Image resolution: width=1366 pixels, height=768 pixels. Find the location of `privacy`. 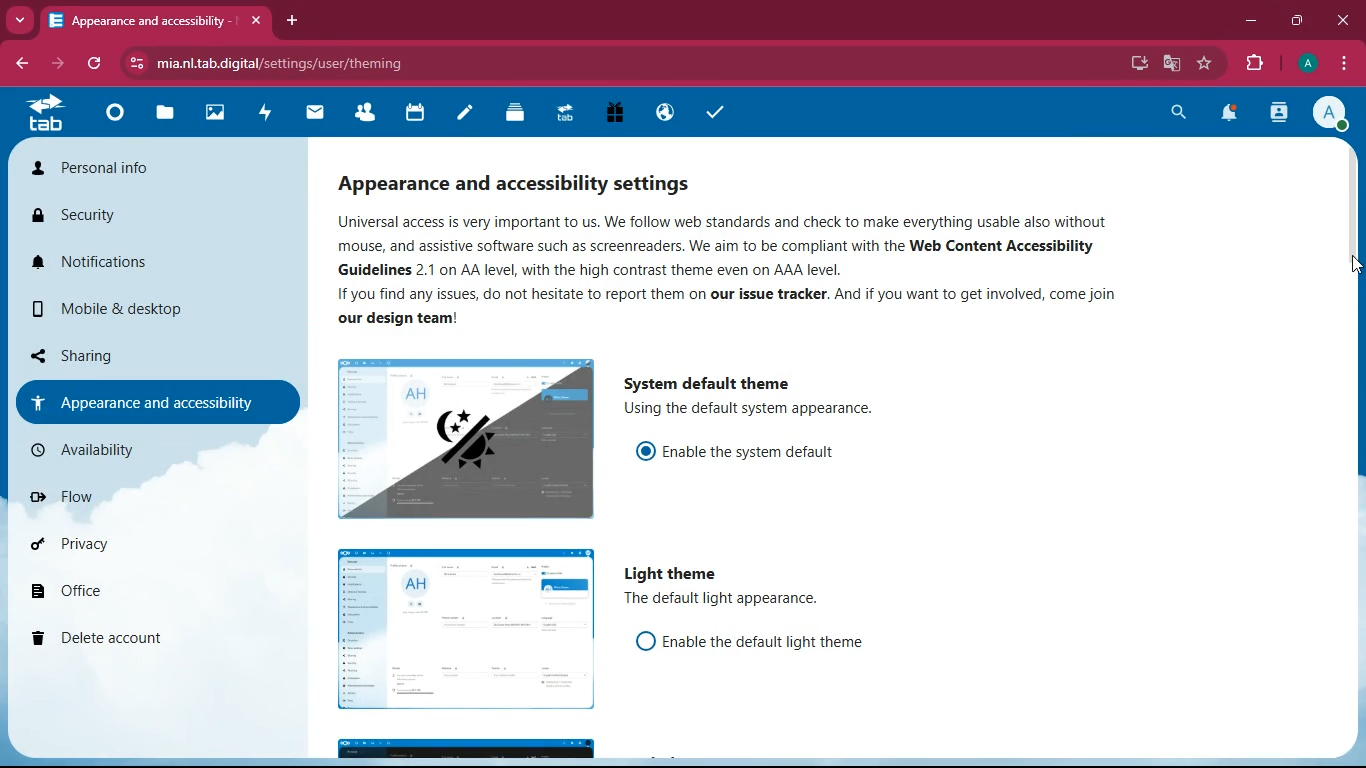

privacy is located at coordinates (117, 551).